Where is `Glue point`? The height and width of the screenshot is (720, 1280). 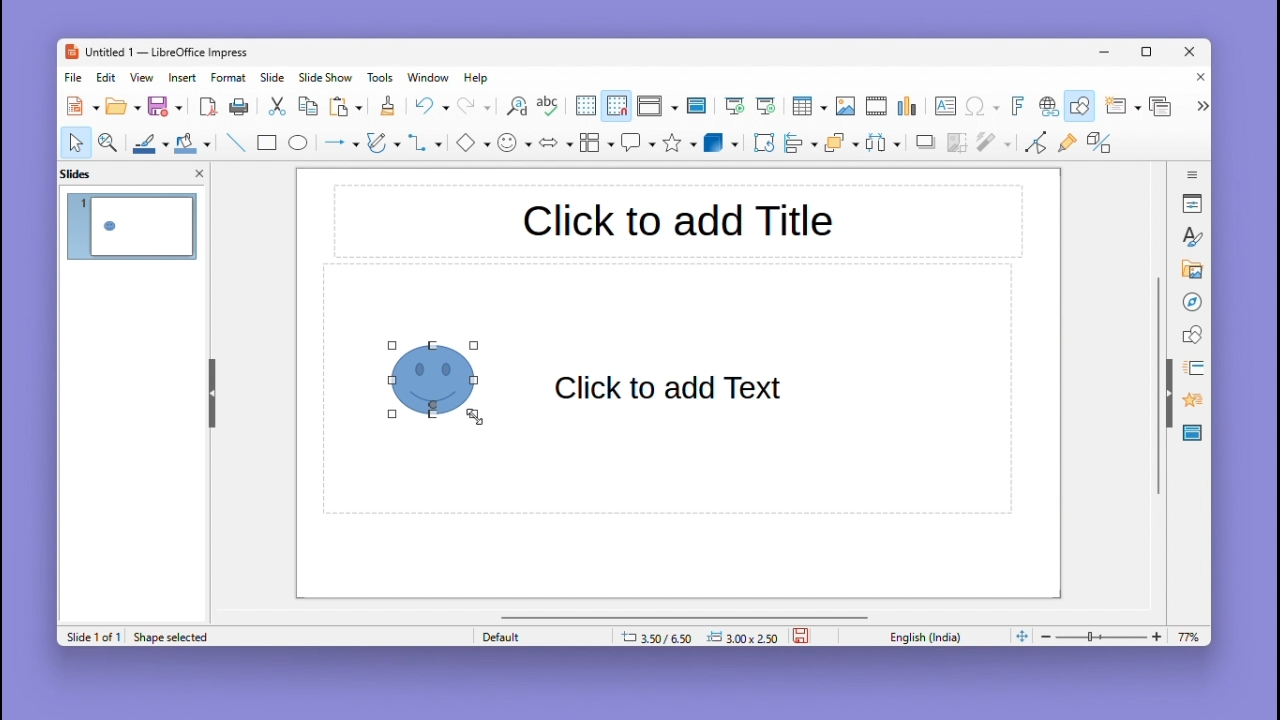
Glue point is located at coordinates (1071, 145).